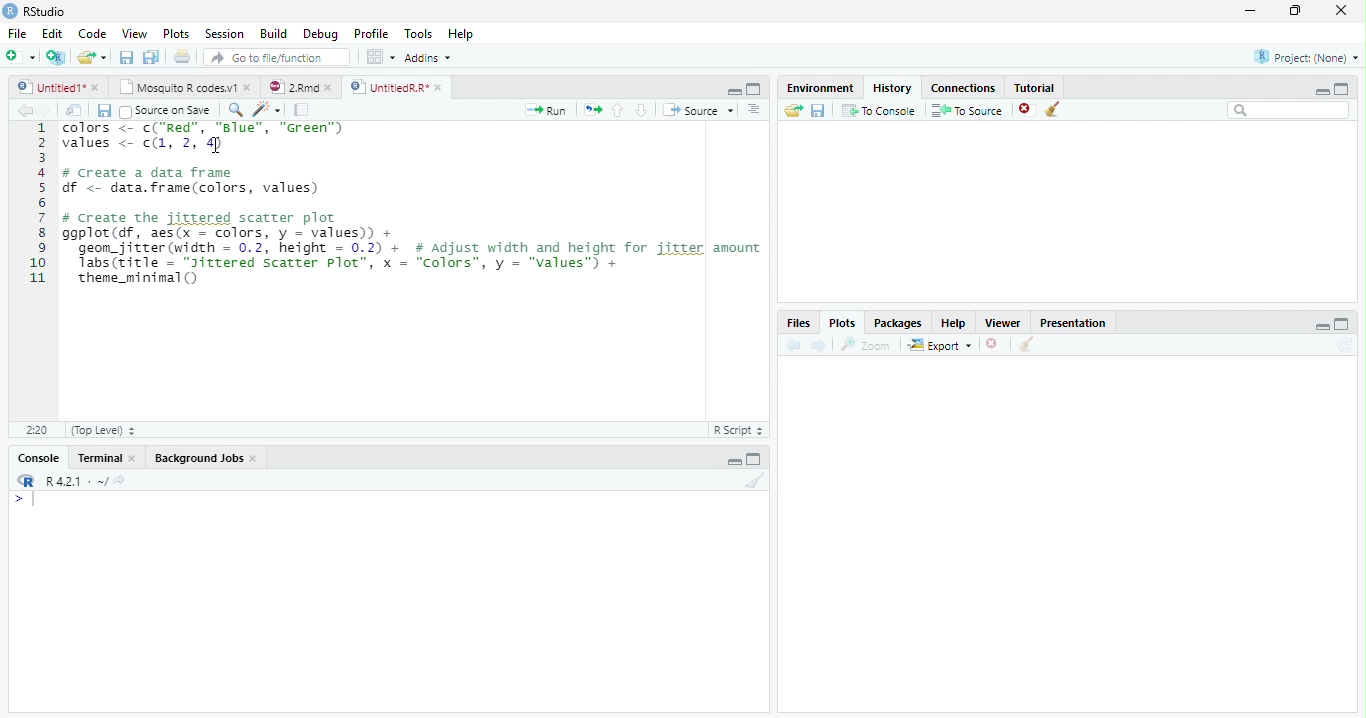 This screenshot has height=718, width=1366. I want to click on Packages, so click(896, 322).